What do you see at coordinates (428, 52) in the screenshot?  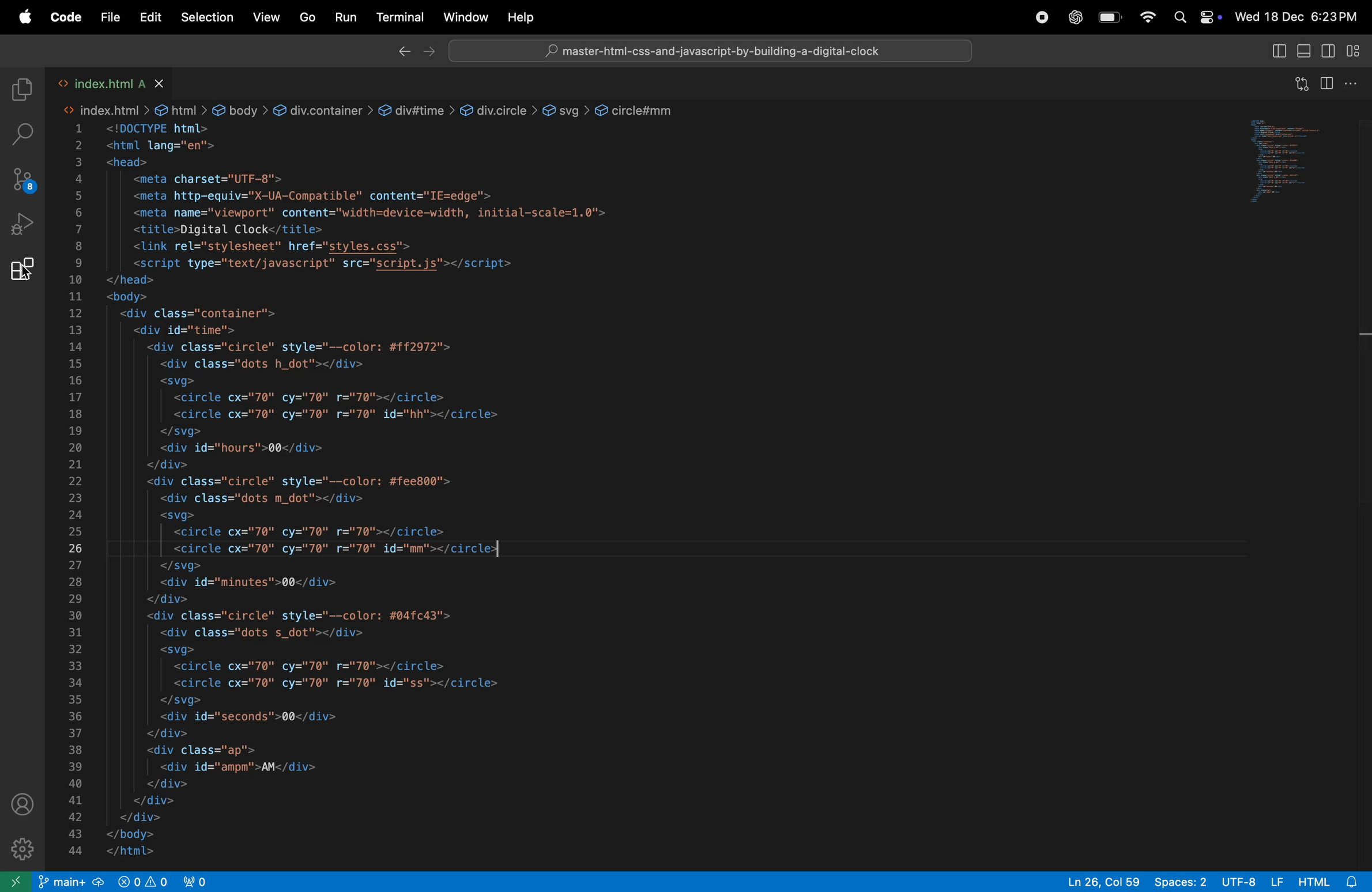 I see `forward` at bounding box center [428, 52].